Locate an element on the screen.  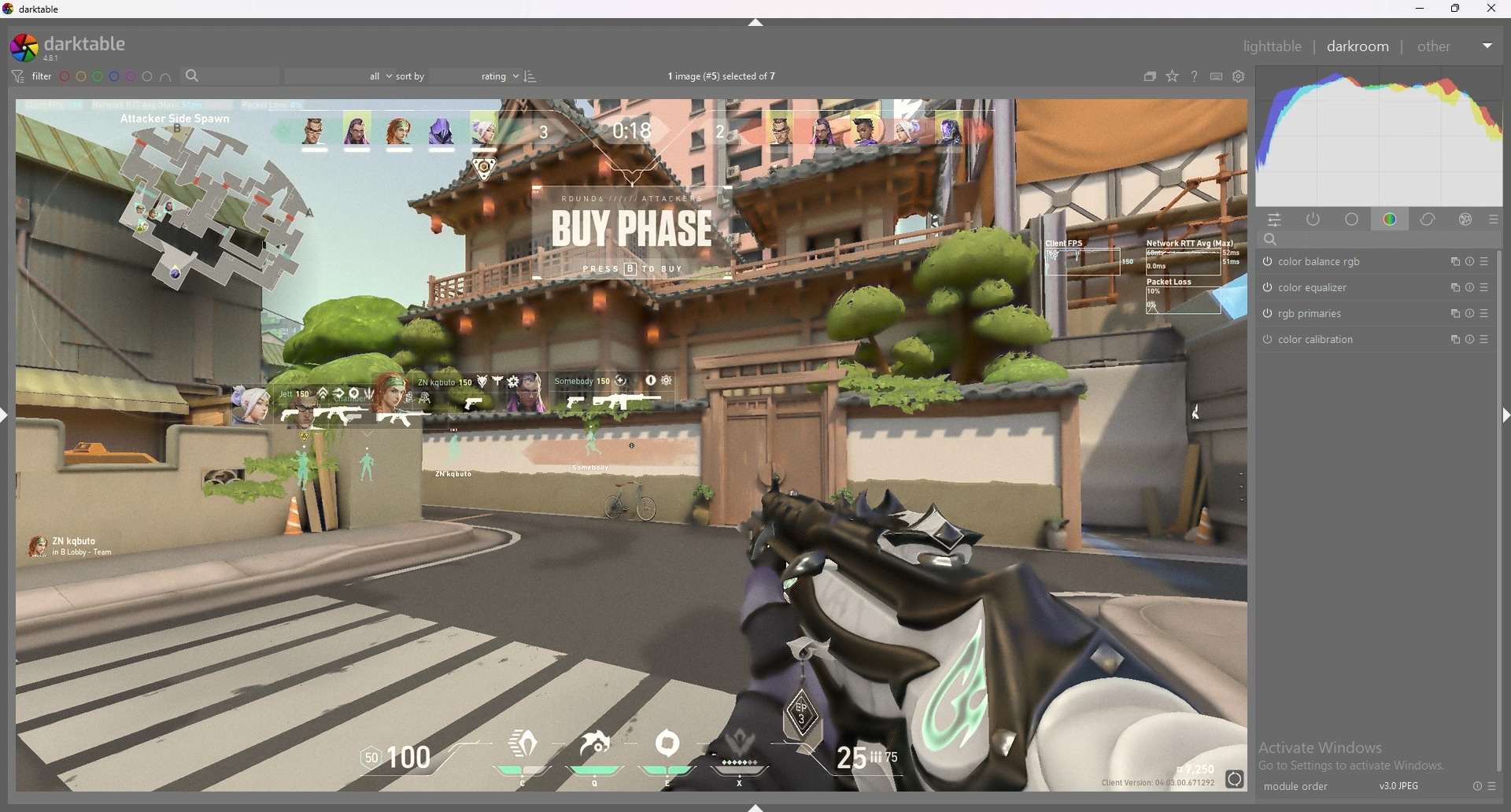
multiple instance actions is located at coordinates (1450, 314).